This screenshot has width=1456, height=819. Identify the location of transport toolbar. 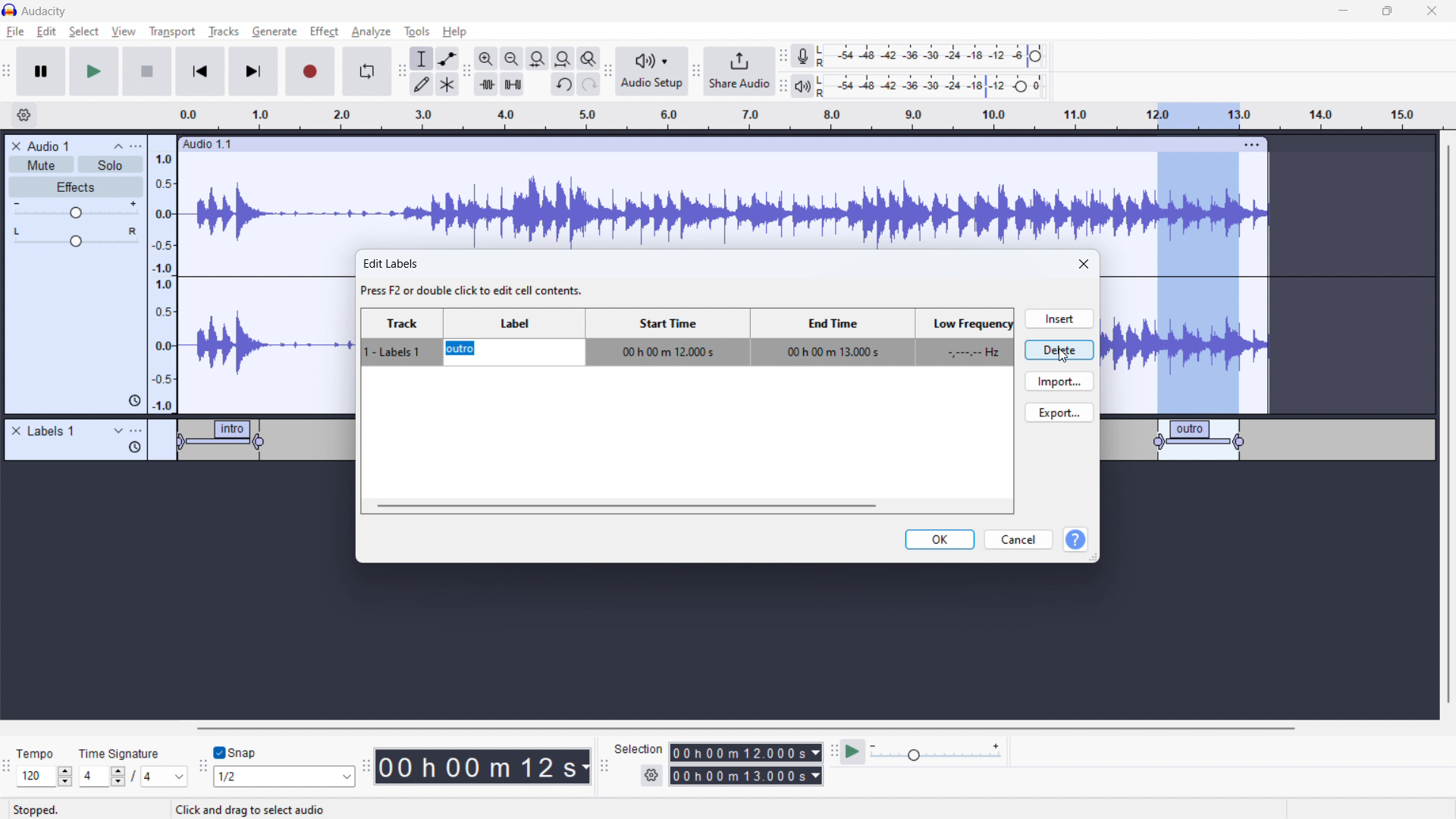
(8, 74).